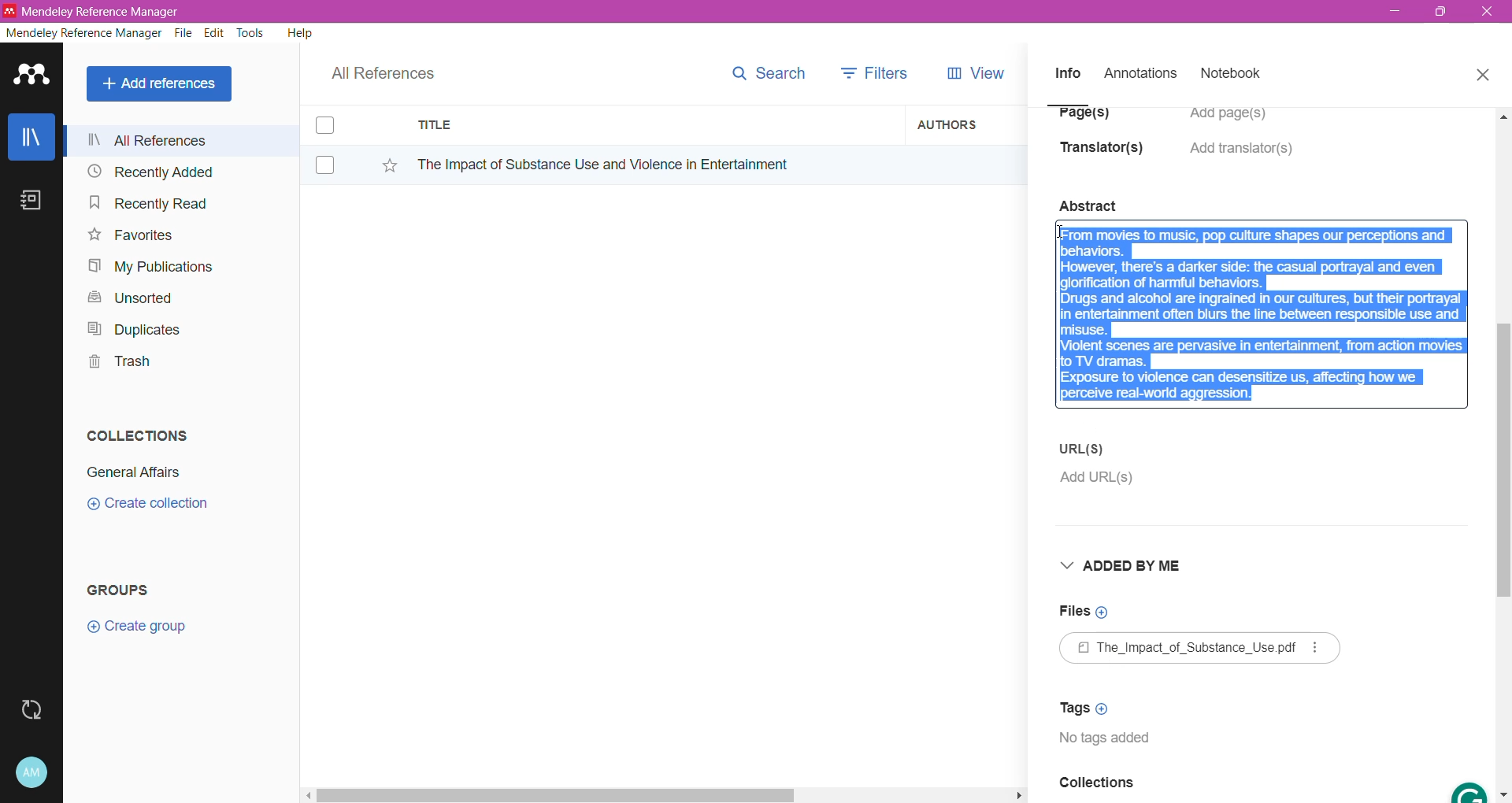  What do you see at coordinates (35, 202) in the screenshot?
I see `Notes` at bounding box center [35, 202].